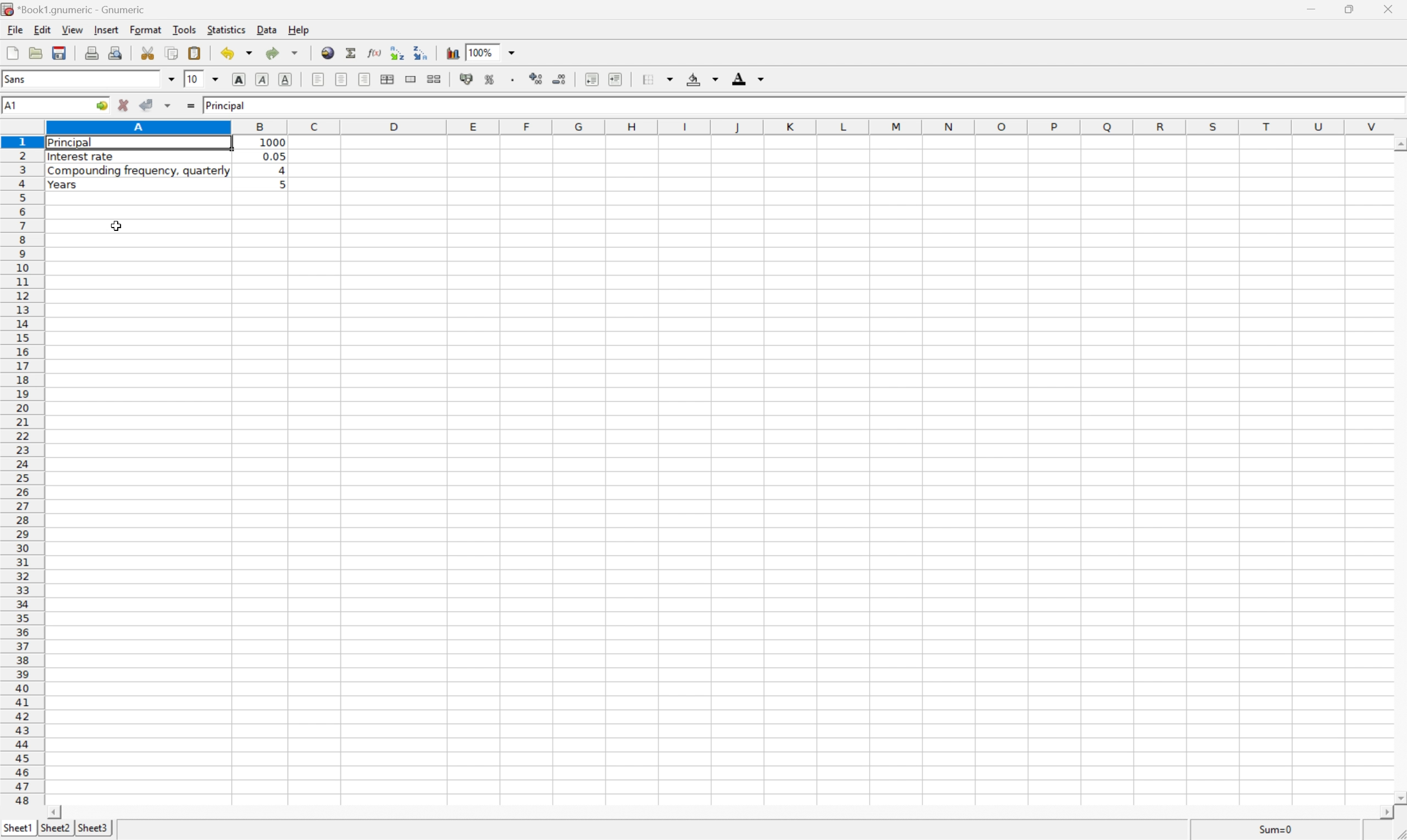  I want to click on decrease number of decimals displayed, so click(561, 79).